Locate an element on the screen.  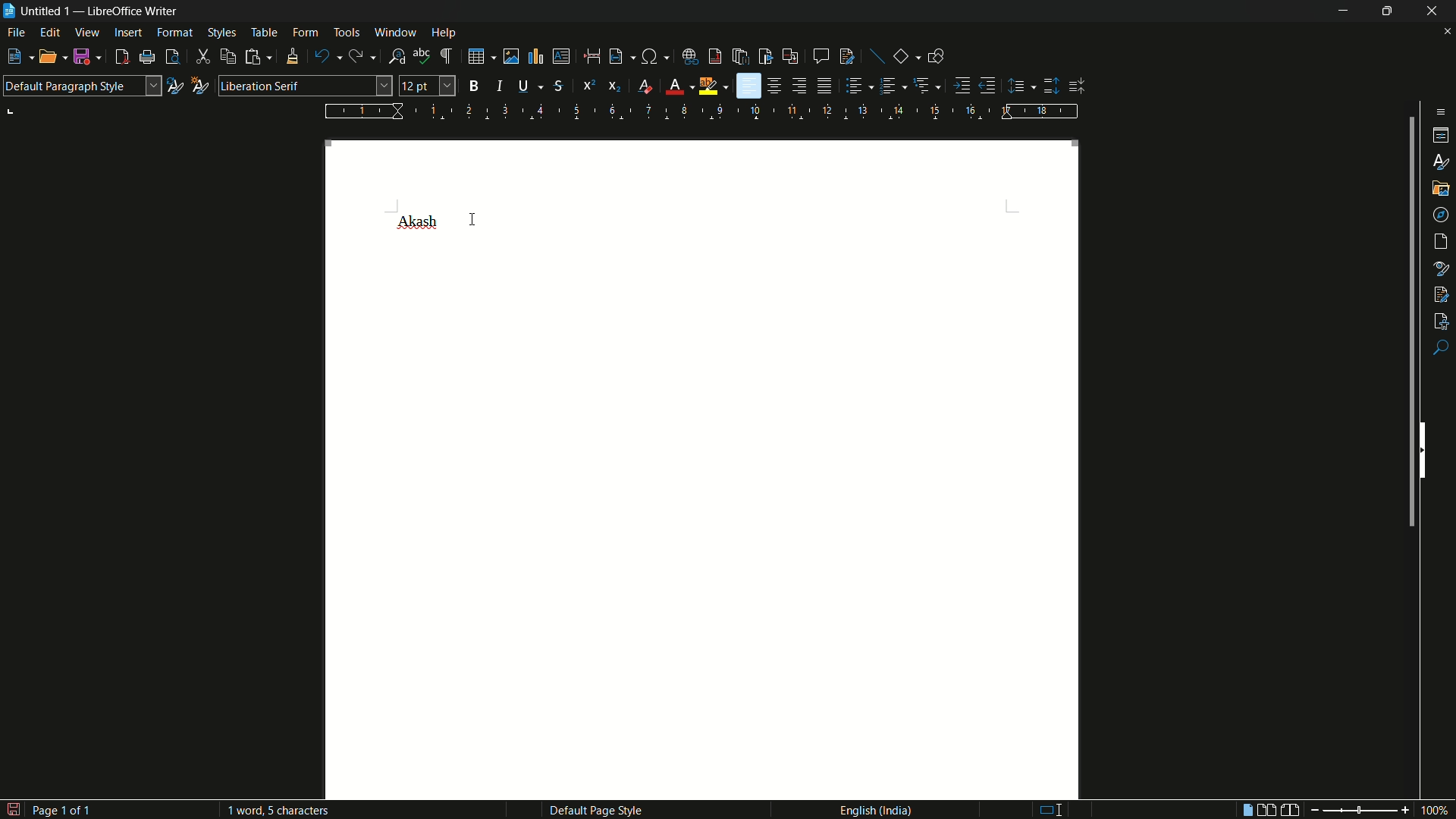
copy is located at coordinates (228, 57).